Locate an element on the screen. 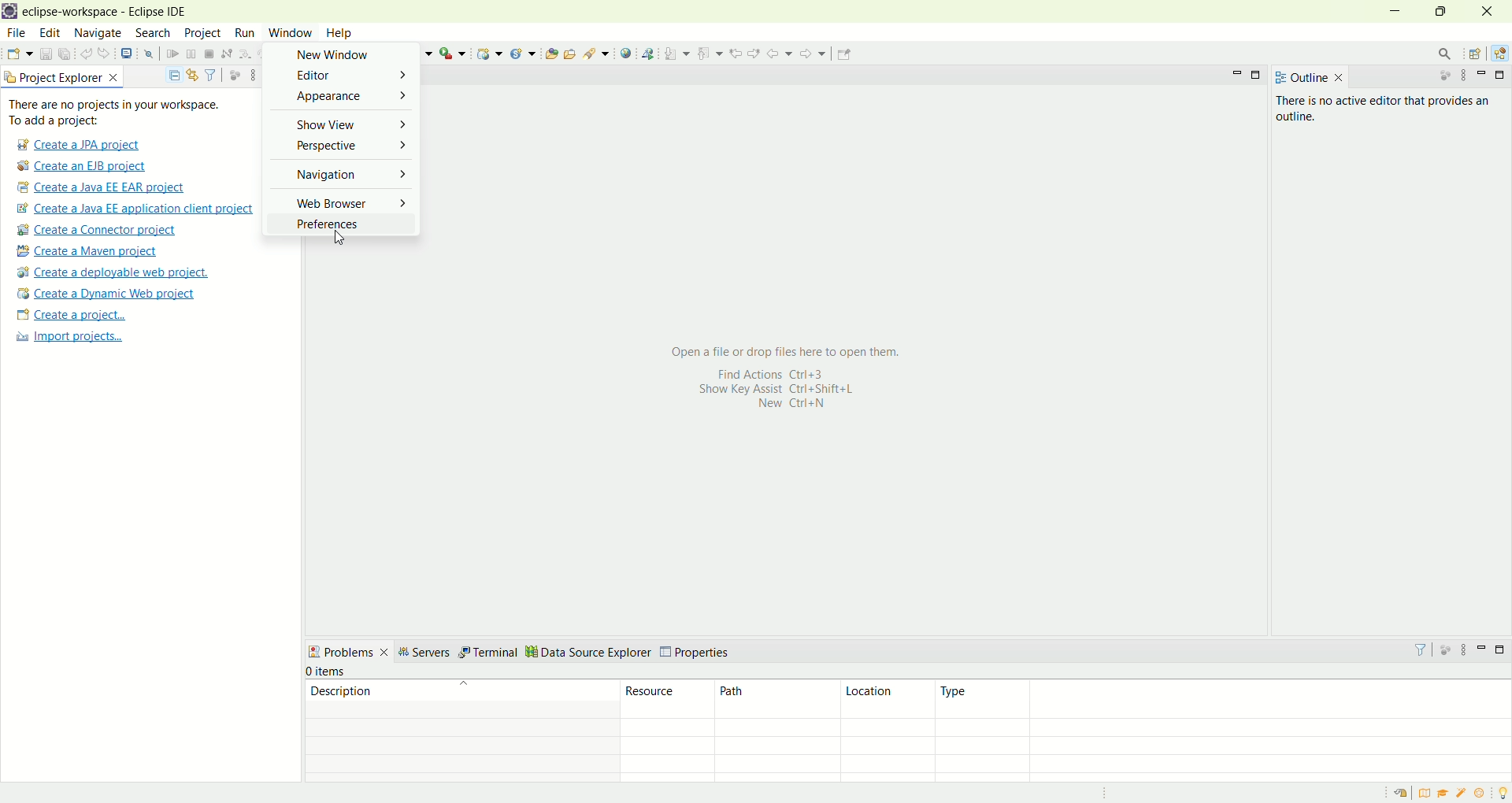 This screenshot has width=1512, height=803. restore welcome is located at coordinates (1404, 794).